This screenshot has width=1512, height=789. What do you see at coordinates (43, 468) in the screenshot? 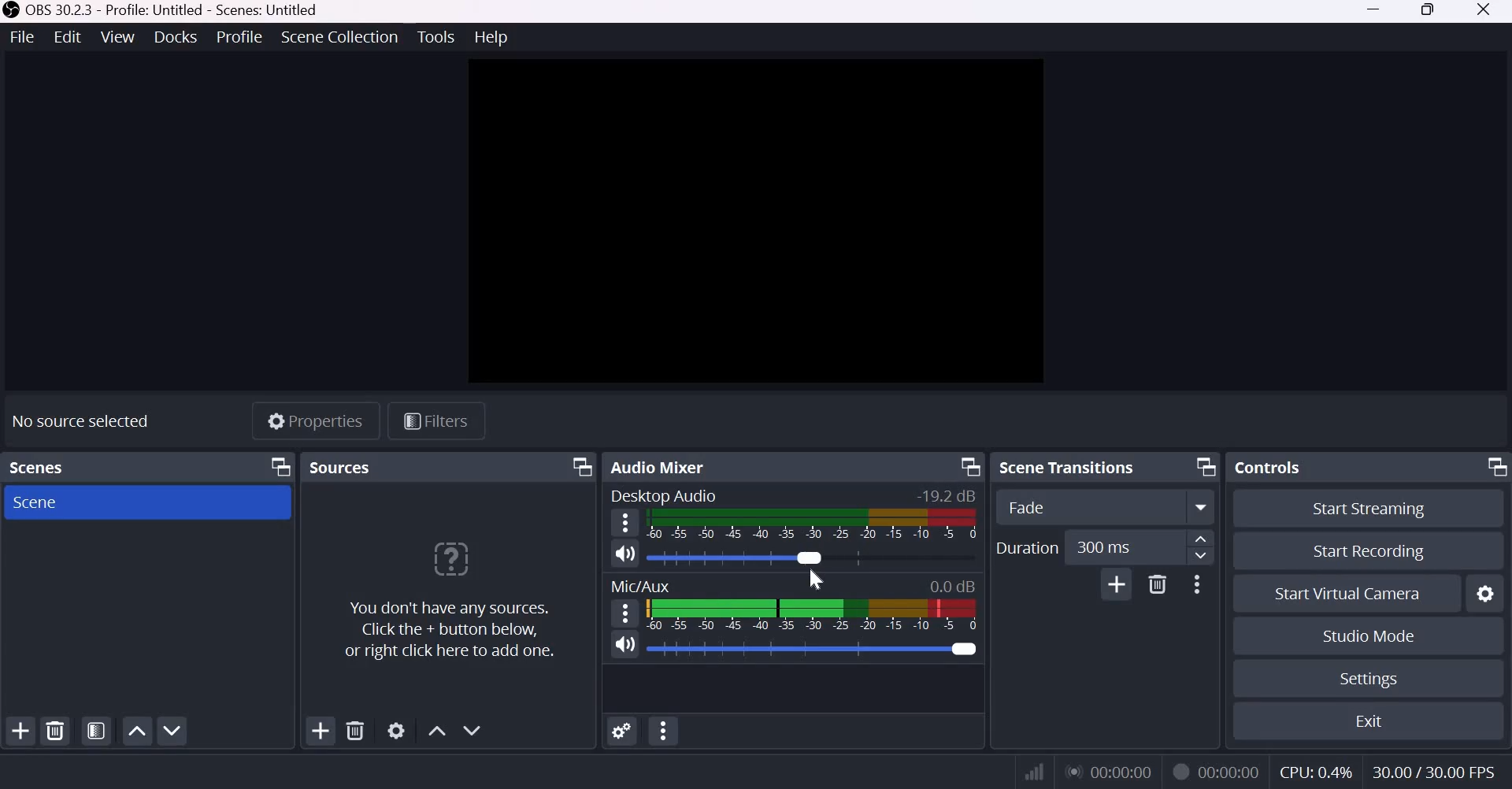
I see `Scenes` at bounding box center [43, 468].